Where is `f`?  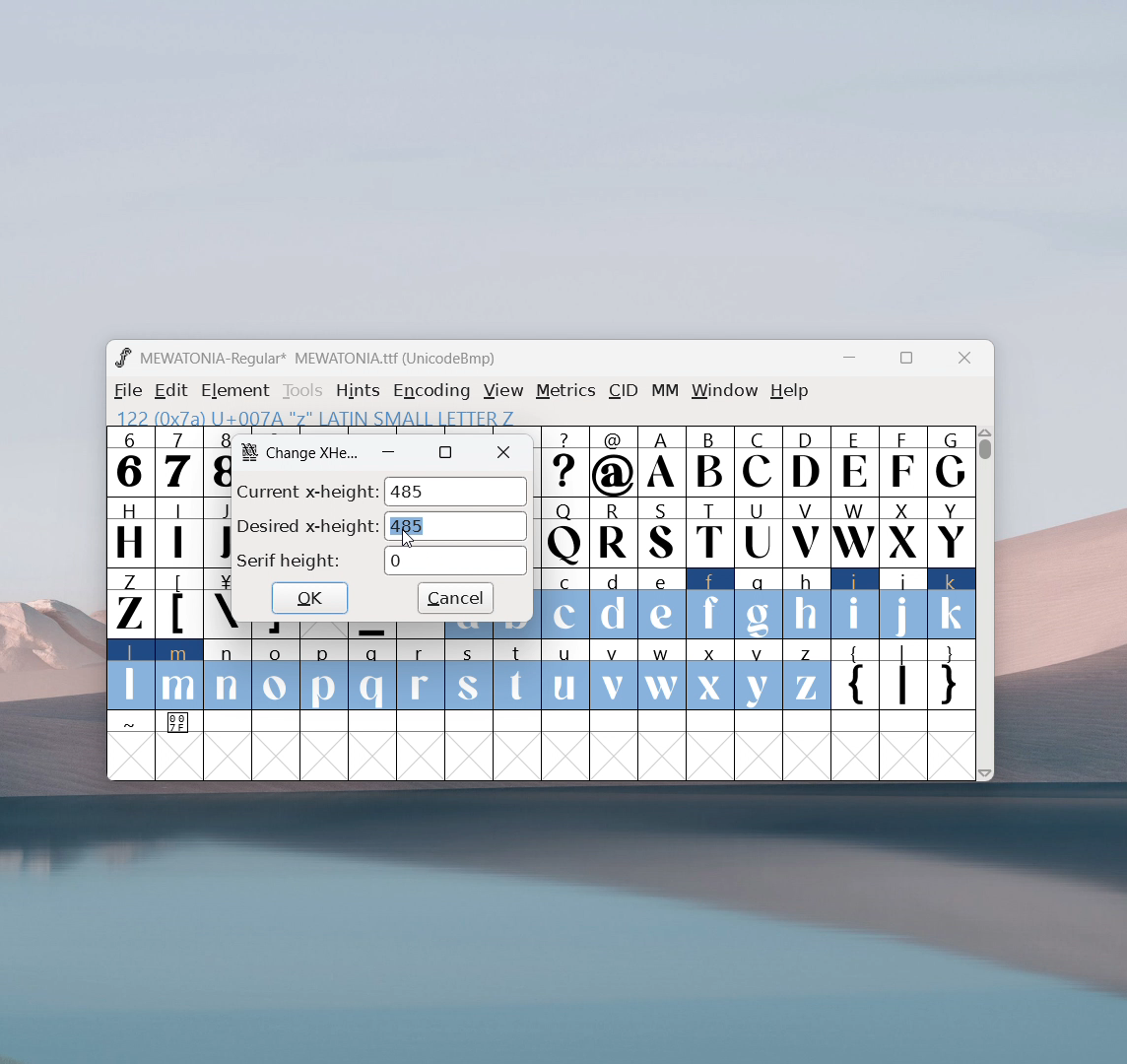 f is located at coordinates (711, 603).